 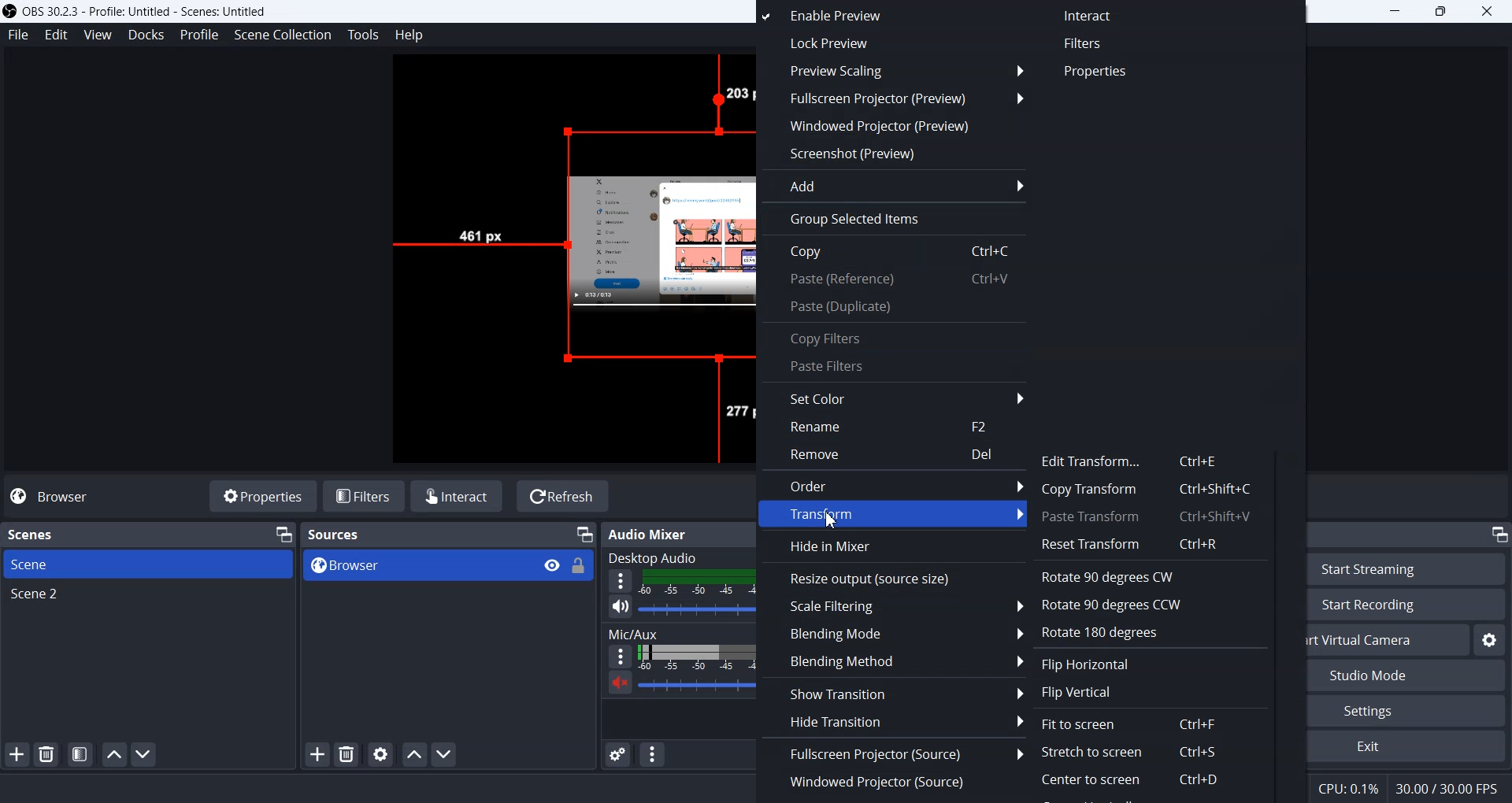 I want to click on Properties, so click(x=263, y=497).